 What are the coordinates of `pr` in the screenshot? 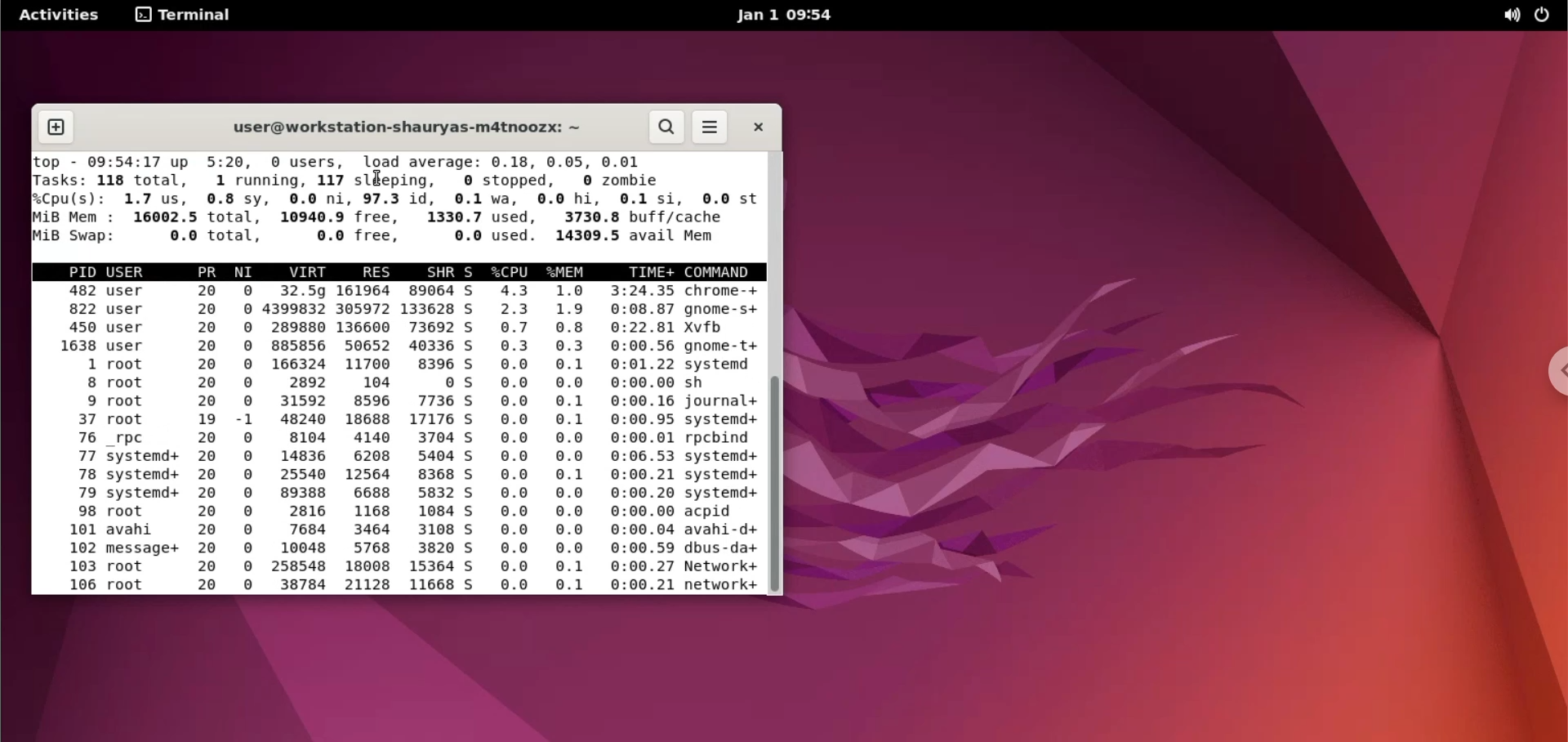 It's located at (210, 440).